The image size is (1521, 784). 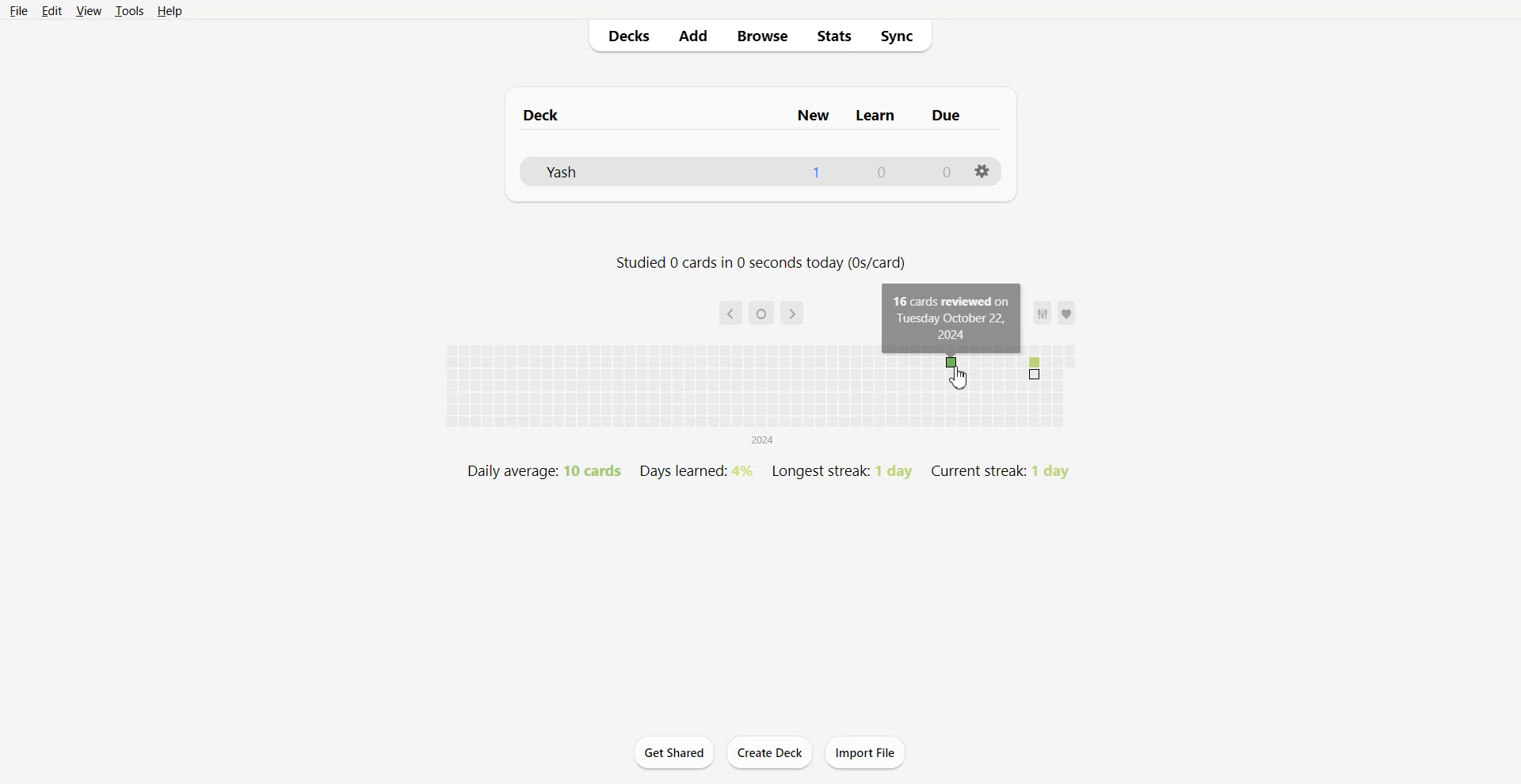 What do you see at coordinates (882, 171) in the screenshot?
I see `0` at bounding box center [882, 171].